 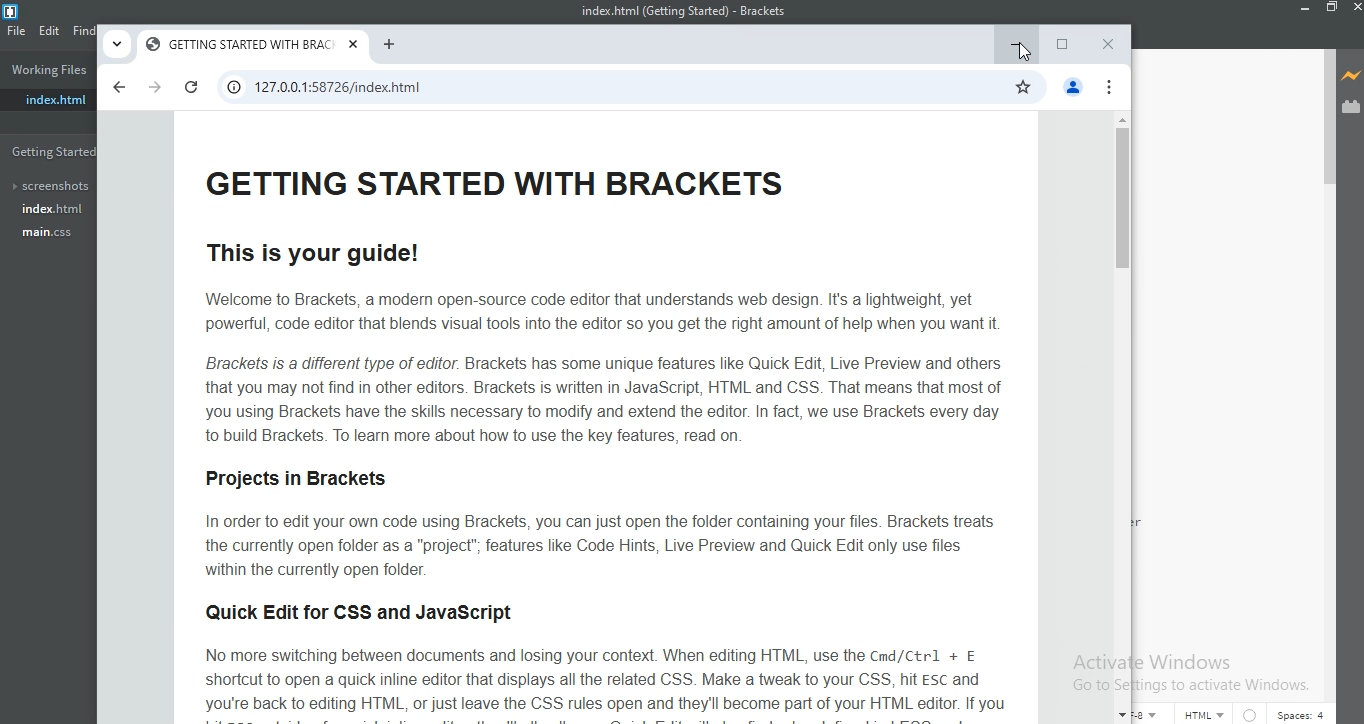 What do you see at coordinates (83, 30) in the screenshot?
I see `Find` at bounding box center [83, 30].